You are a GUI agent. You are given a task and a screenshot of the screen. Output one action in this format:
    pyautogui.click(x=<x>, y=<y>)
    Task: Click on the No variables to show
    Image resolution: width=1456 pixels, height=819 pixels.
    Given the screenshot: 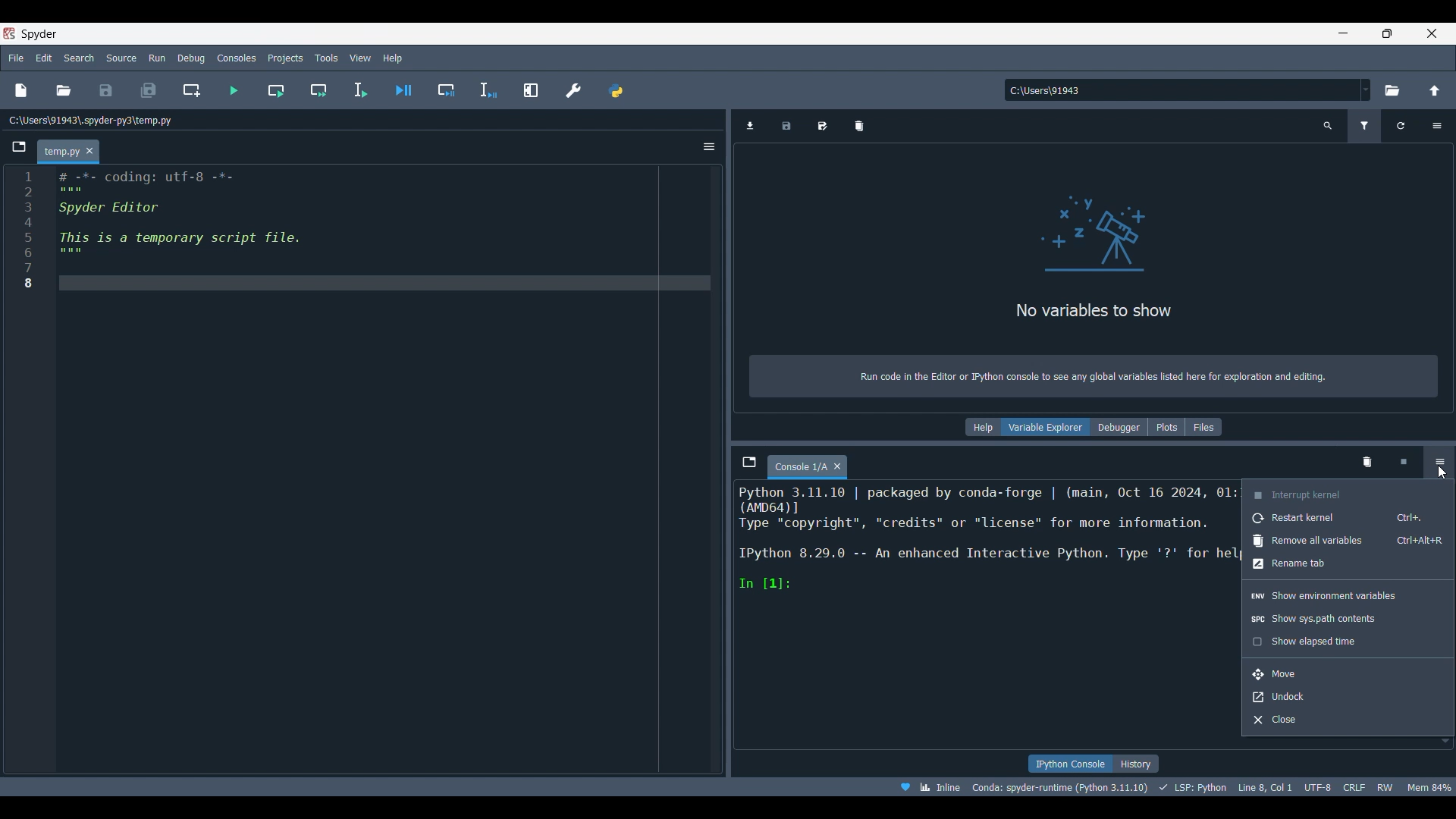 What is the action you would take?
    pyautogui.click(x=1084, y=312)
    